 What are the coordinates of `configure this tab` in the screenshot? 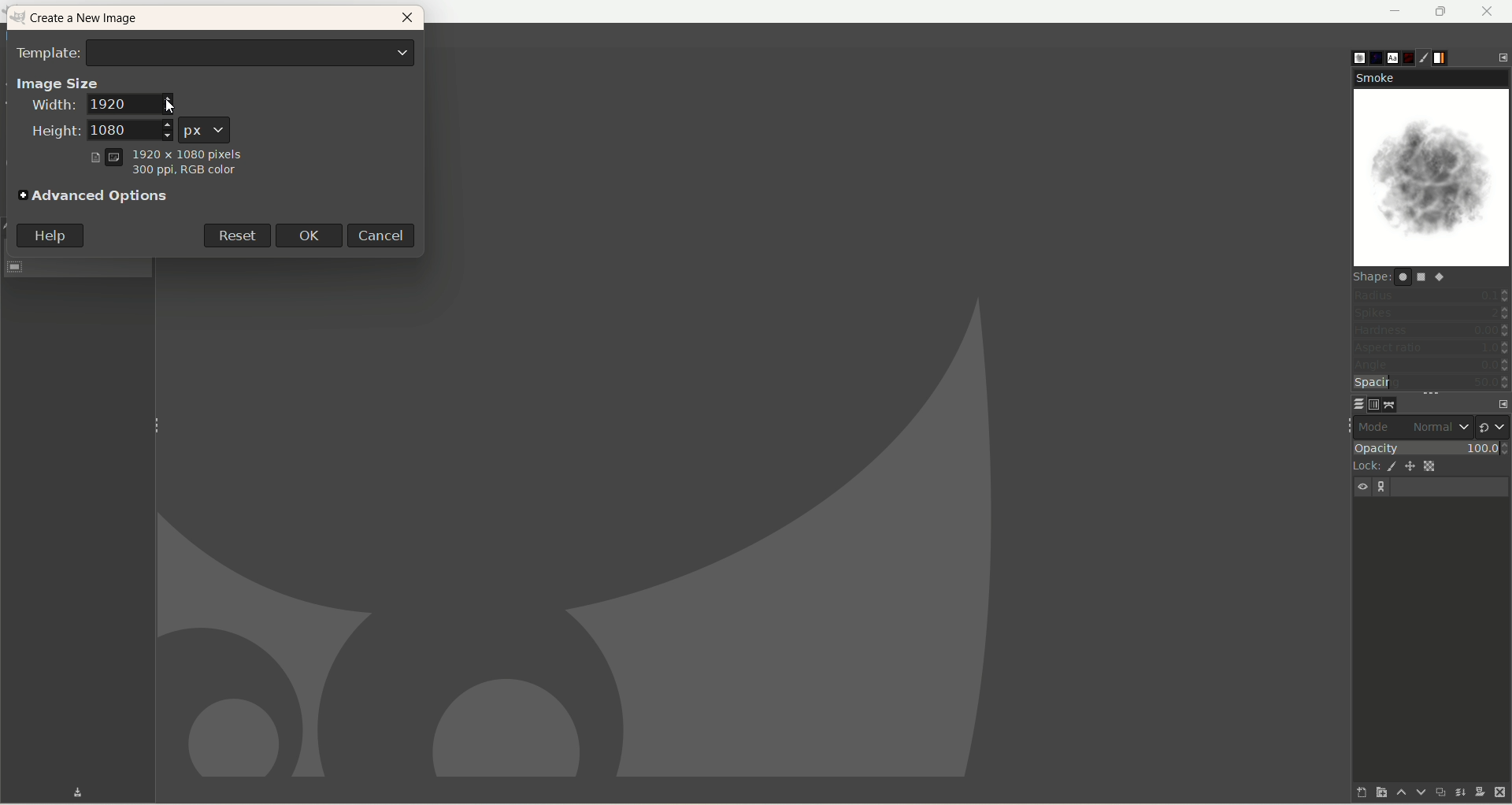 It's located at (1499, 402).